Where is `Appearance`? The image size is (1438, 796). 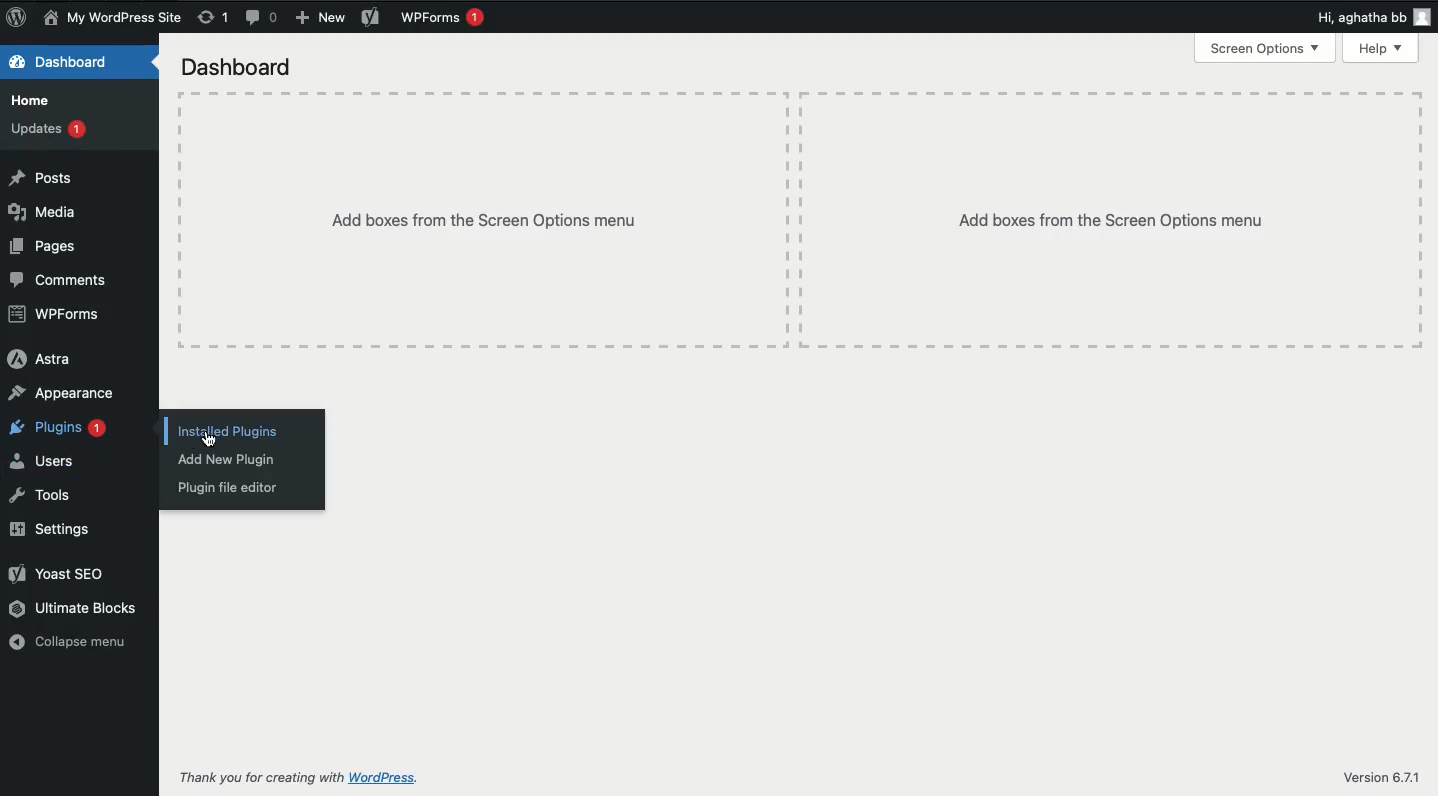
Appearance is located at coordinates (59, 394).